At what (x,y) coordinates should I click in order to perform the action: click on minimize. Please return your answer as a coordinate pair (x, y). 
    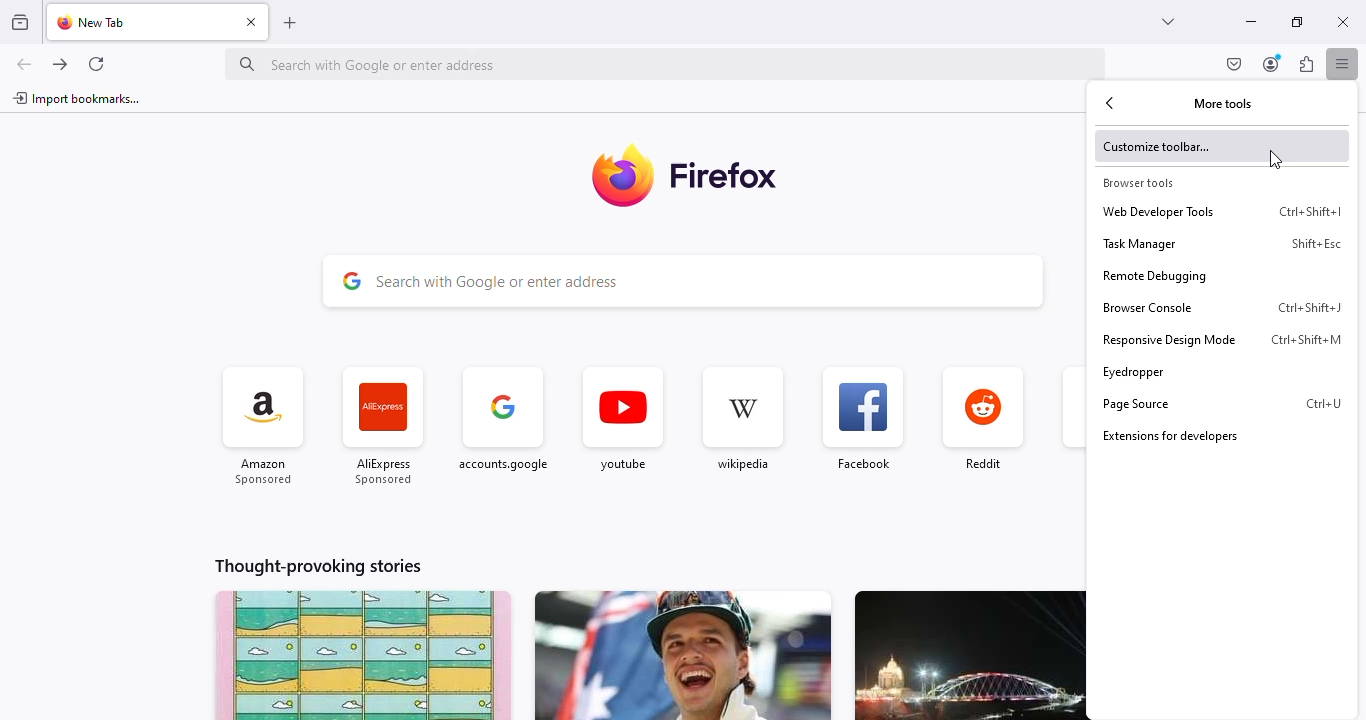
    Looking at the image, I should click on (1251, 22).